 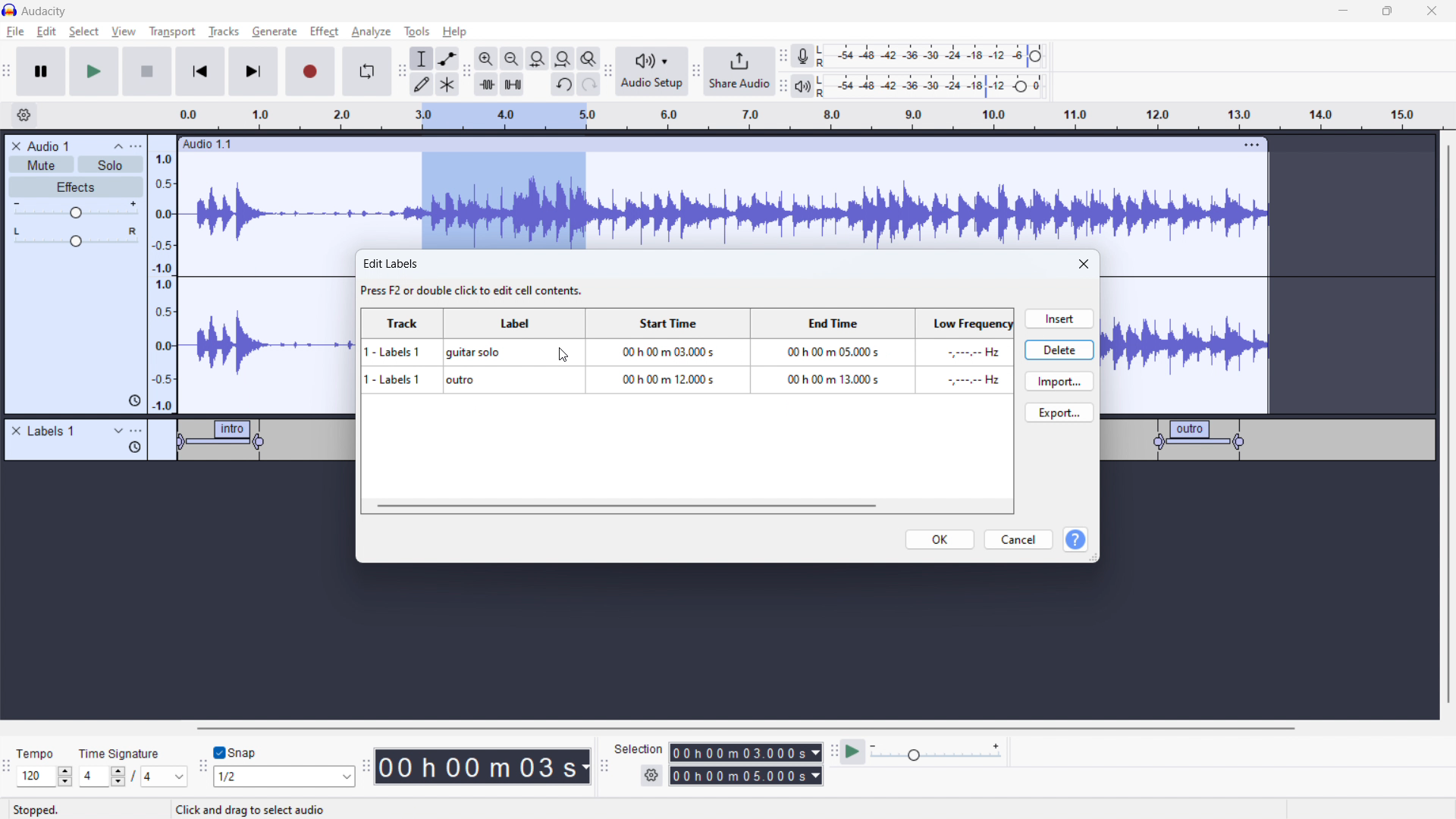 What do you see at coordinates (746, 752) in the screenshot?
I see `selection start time` at bounding box center [746, 752].